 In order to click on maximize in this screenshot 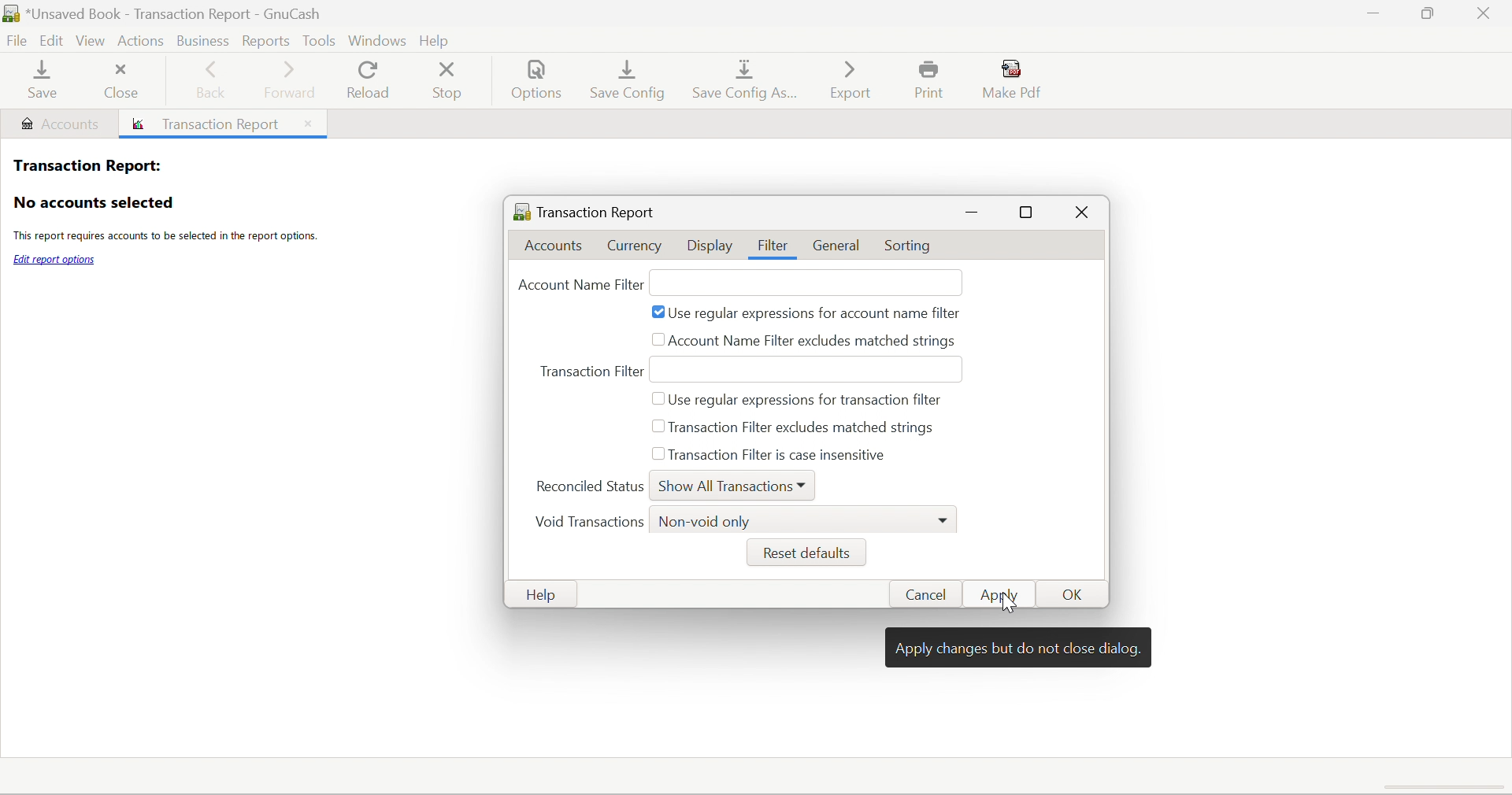, I will do `click(1029, 214)`.